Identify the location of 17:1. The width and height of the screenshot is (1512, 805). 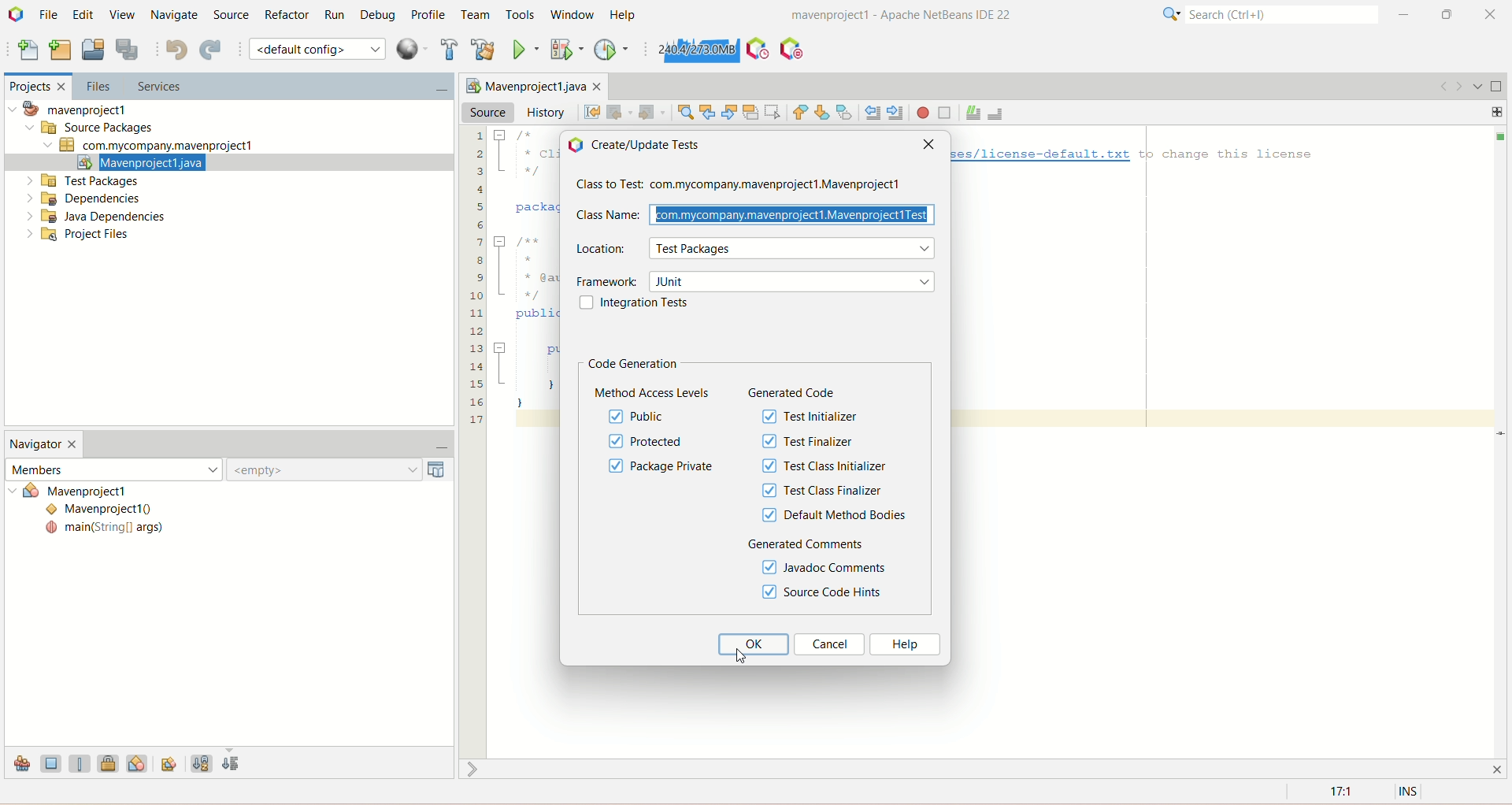
(1339, 792).